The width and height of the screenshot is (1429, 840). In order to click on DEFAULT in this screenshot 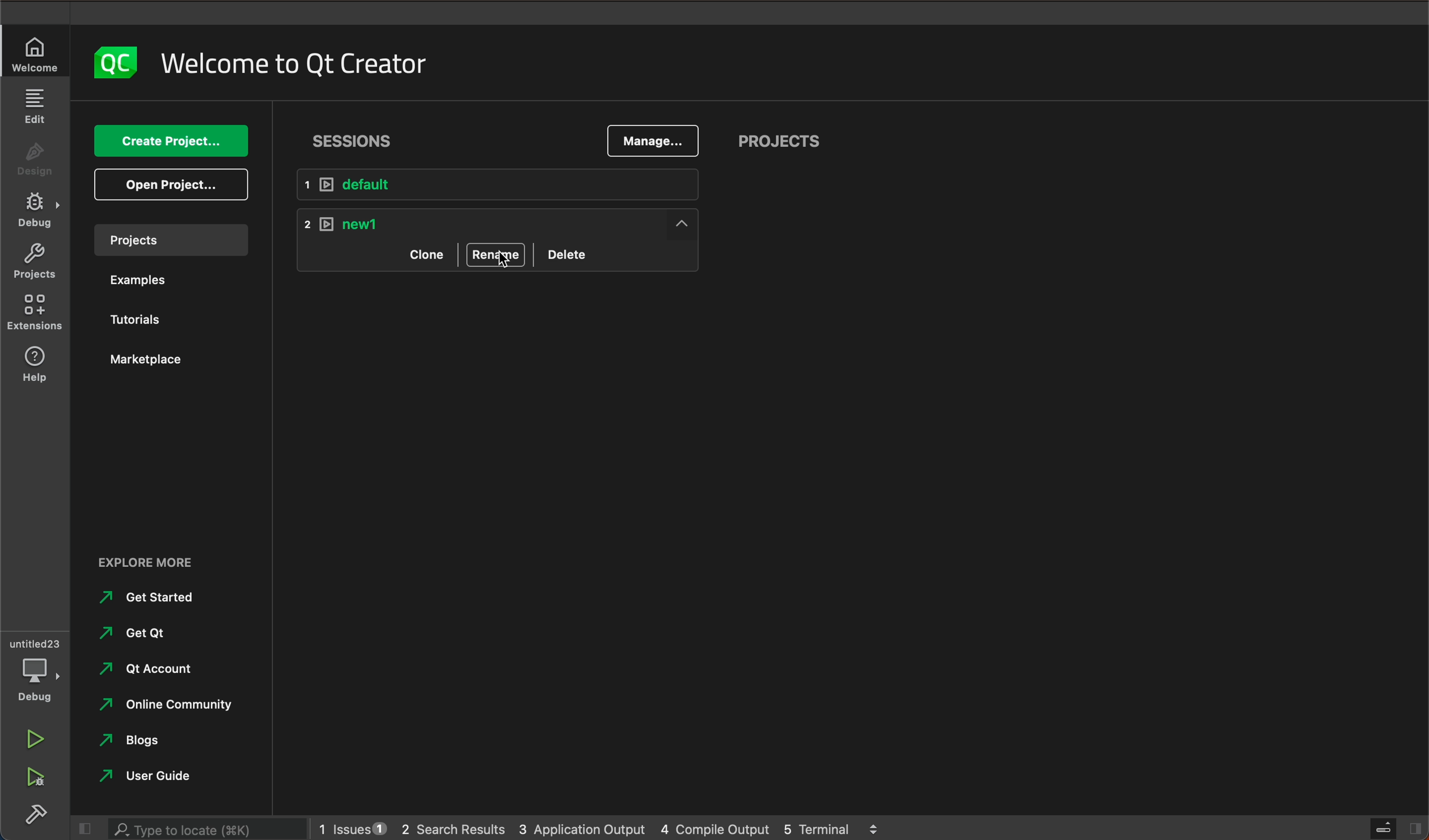, I will do `click(507, 185)`.